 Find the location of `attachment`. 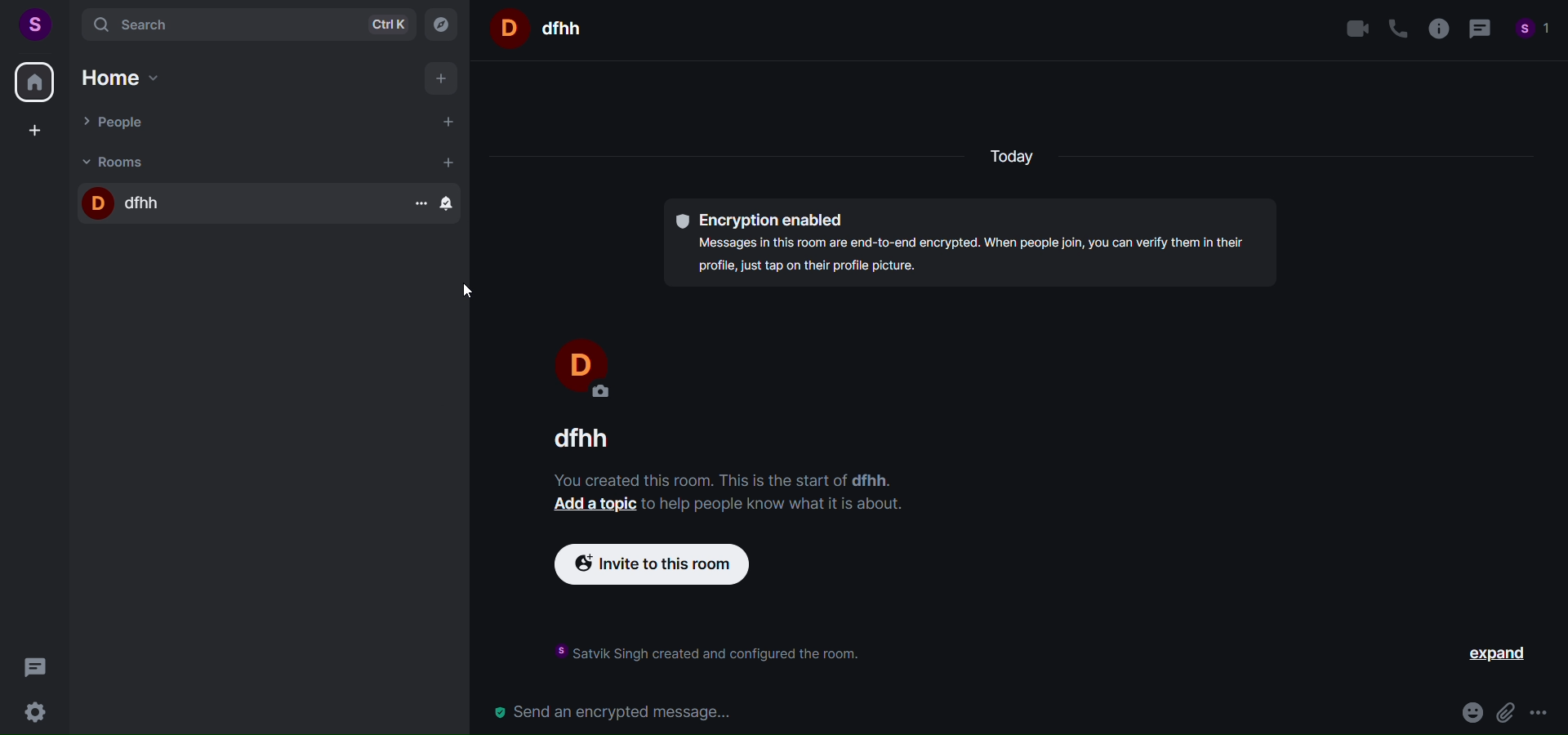

attachment is located at coordinates (1506, 710).